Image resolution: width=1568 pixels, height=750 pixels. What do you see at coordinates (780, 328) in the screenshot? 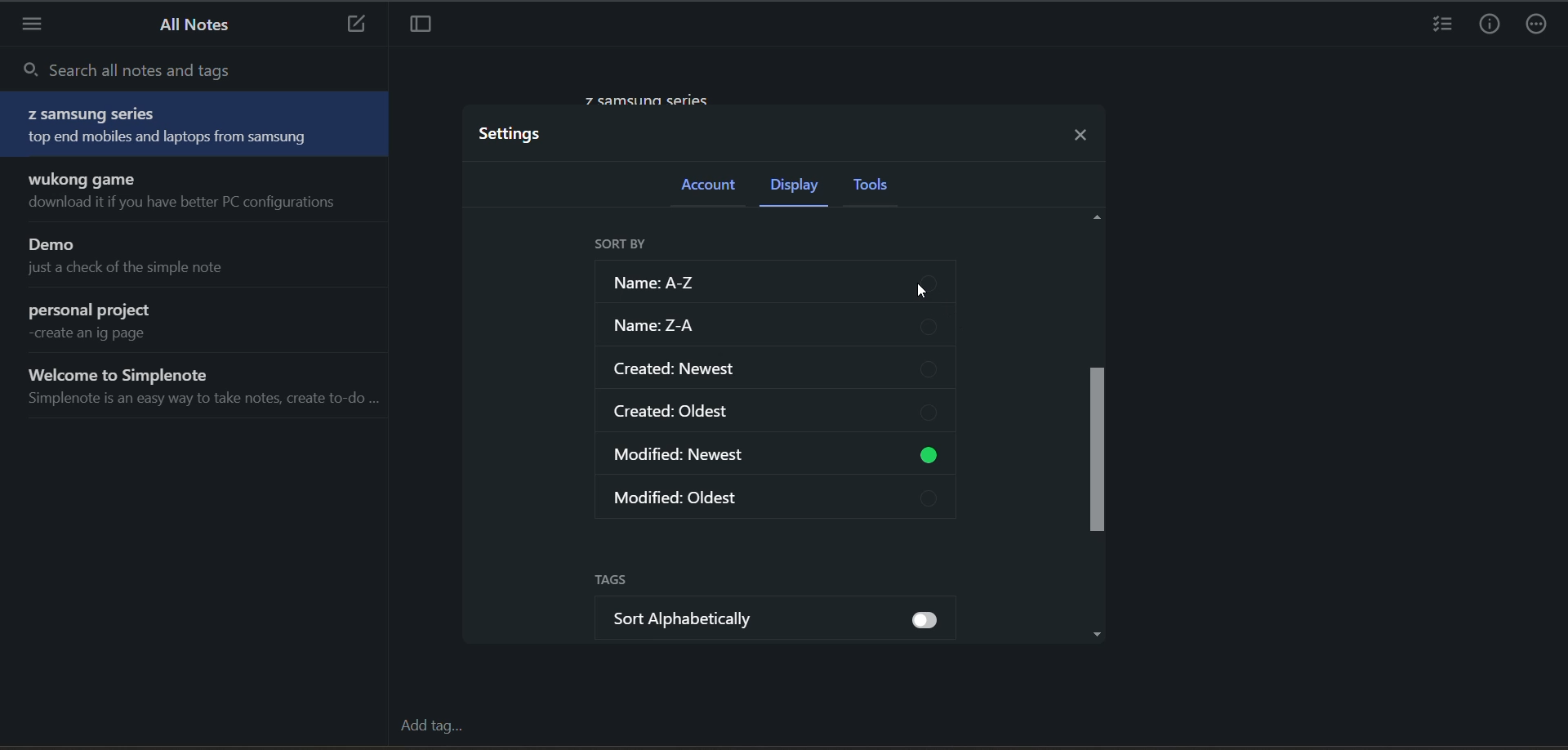
I see `name: Z-A` at bounding box center [780, 328].